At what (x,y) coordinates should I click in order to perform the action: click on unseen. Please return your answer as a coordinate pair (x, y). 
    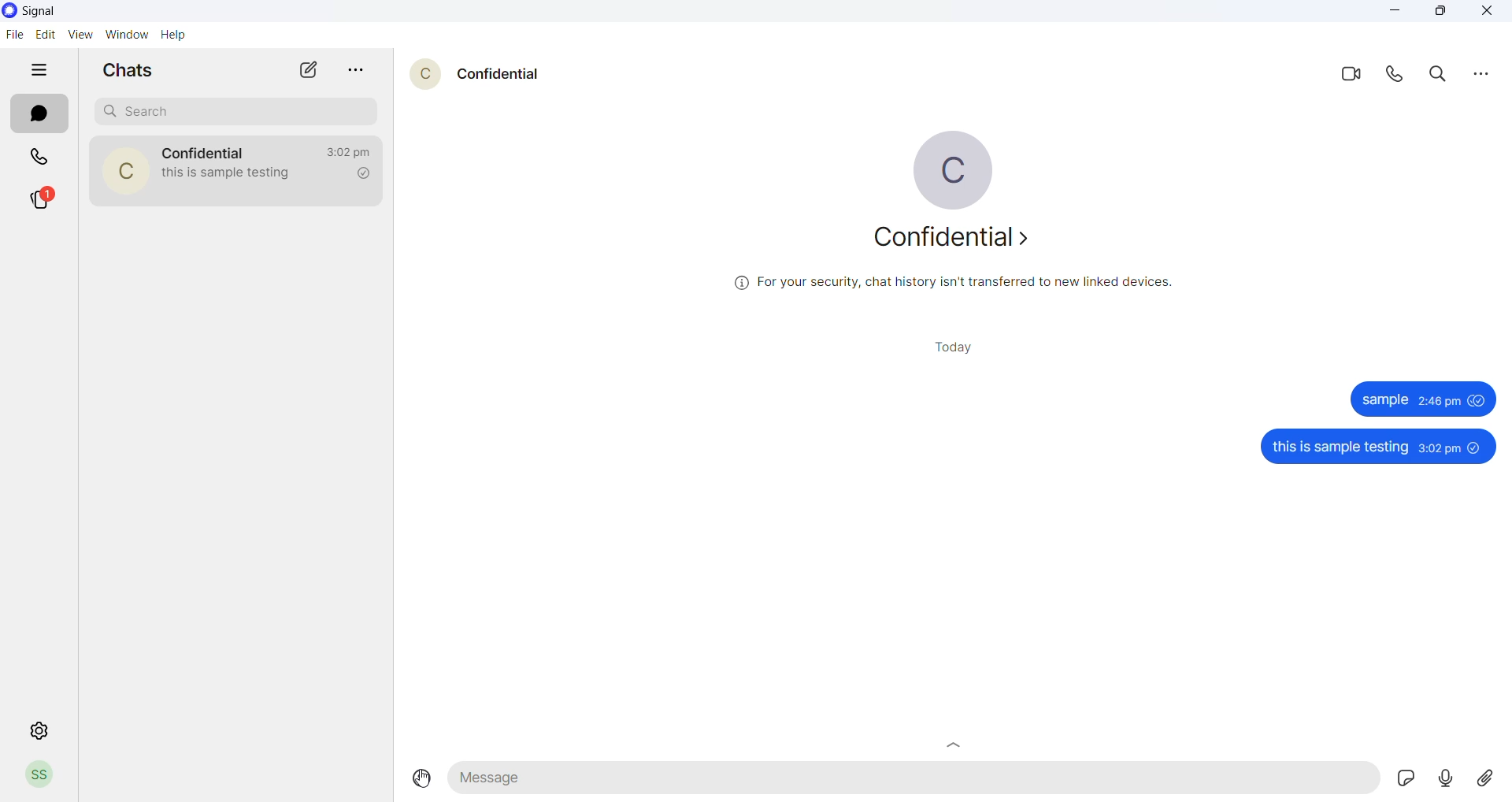
    Looking at the image, I should click on (1477, 447).